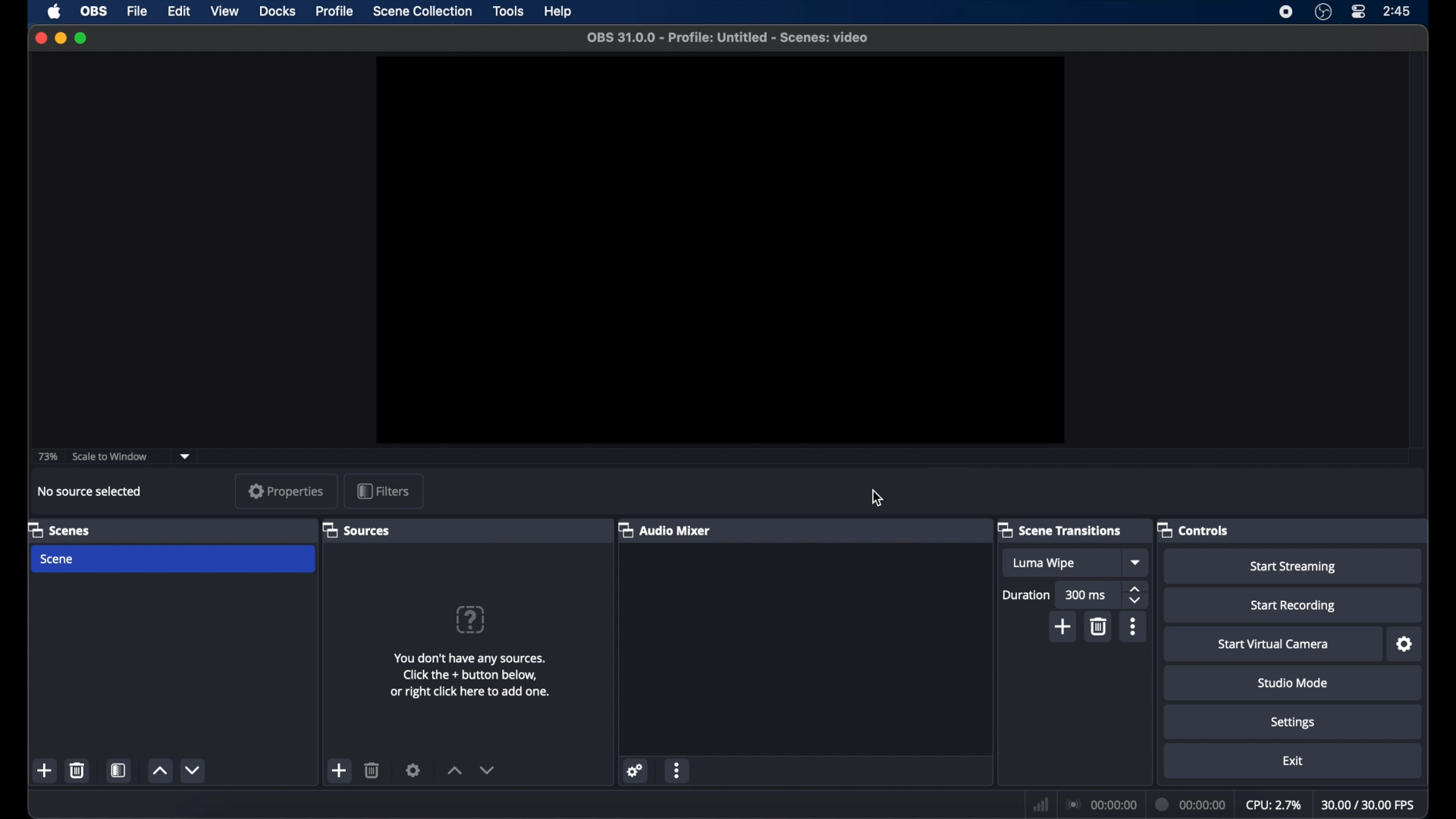 The width and height of the screenshot is (1456, 819). I want to click on start virtual camera, so click(1274, 645).